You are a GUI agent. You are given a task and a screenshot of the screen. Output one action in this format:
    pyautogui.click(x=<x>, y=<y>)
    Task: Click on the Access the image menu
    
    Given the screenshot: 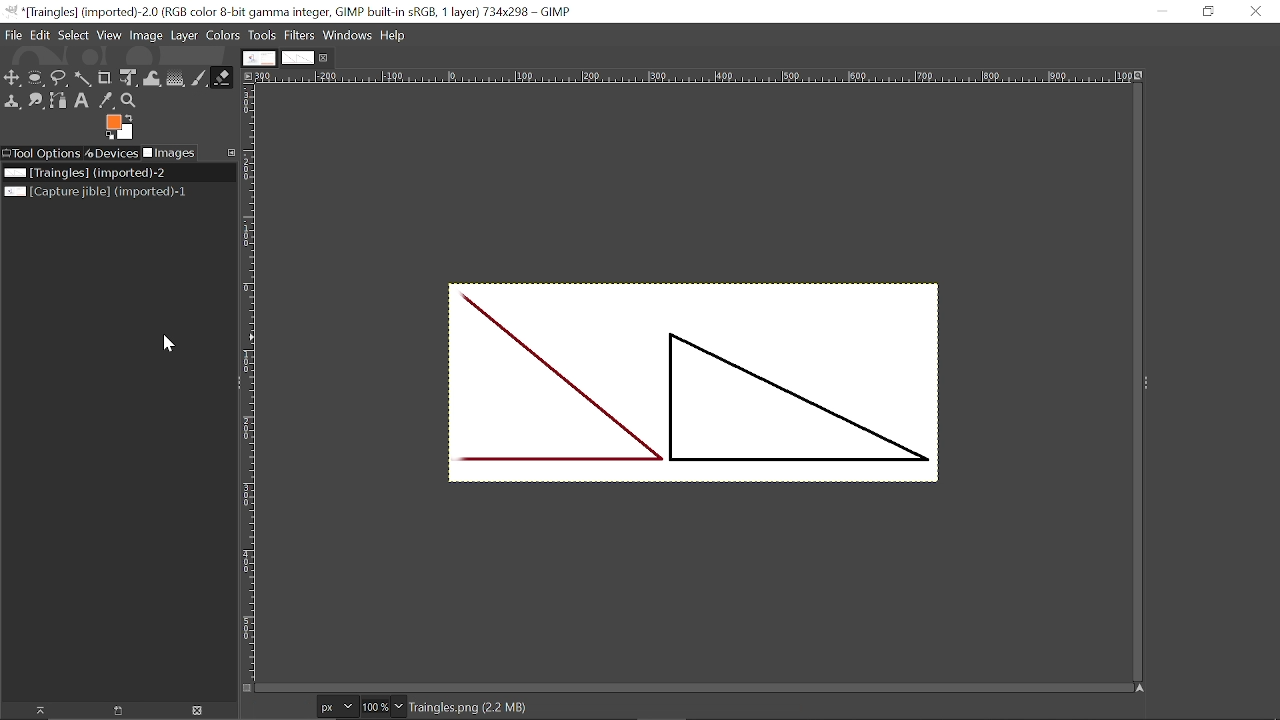 What is the action you would take?
    pyautogui.click(x=247, y=75)
    